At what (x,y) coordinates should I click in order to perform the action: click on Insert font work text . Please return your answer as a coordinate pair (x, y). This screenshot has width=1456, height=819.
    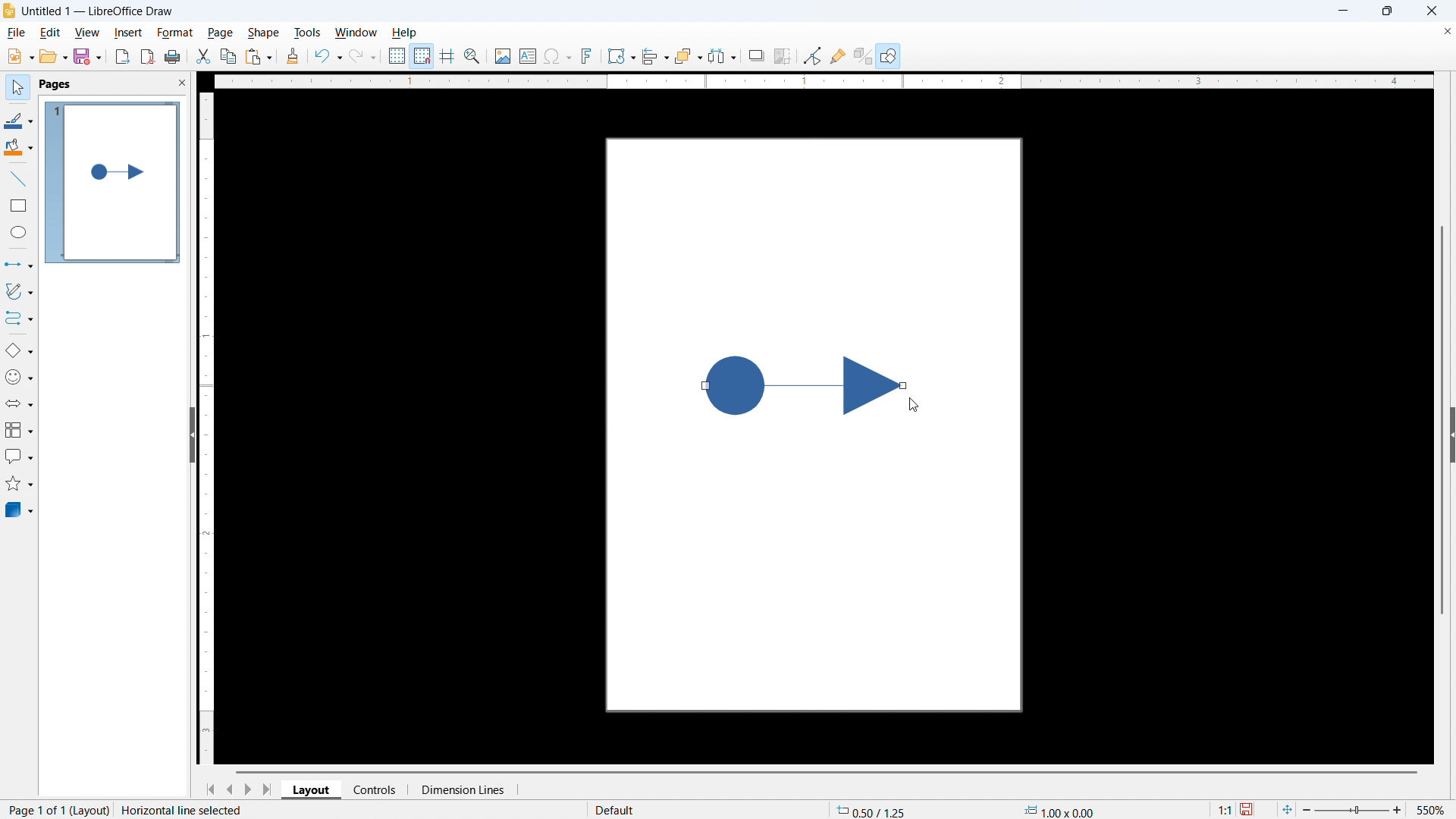
    Looking at the image, I should click on (587, 55).